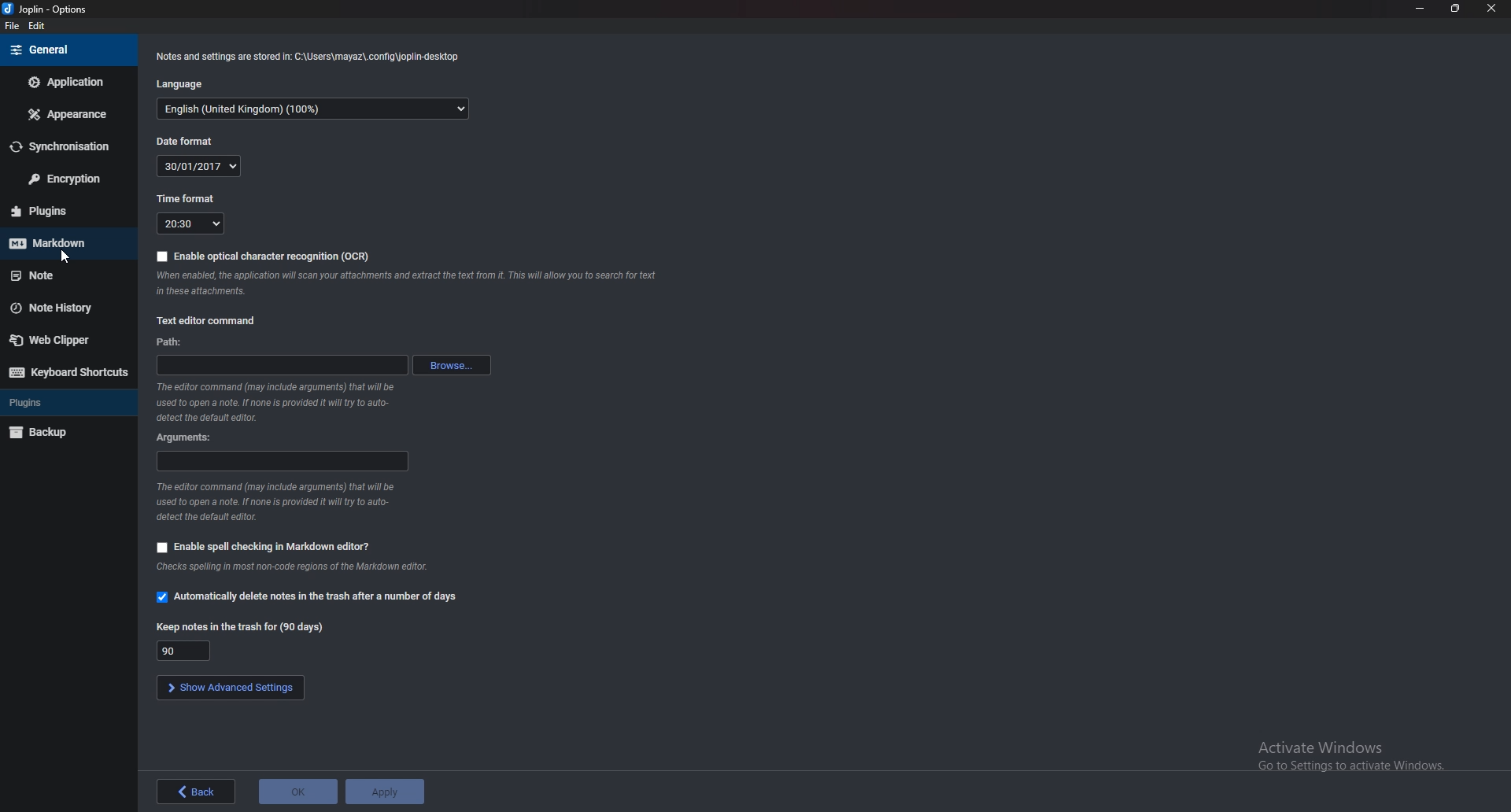  I want to click on path, so click(283, 365).